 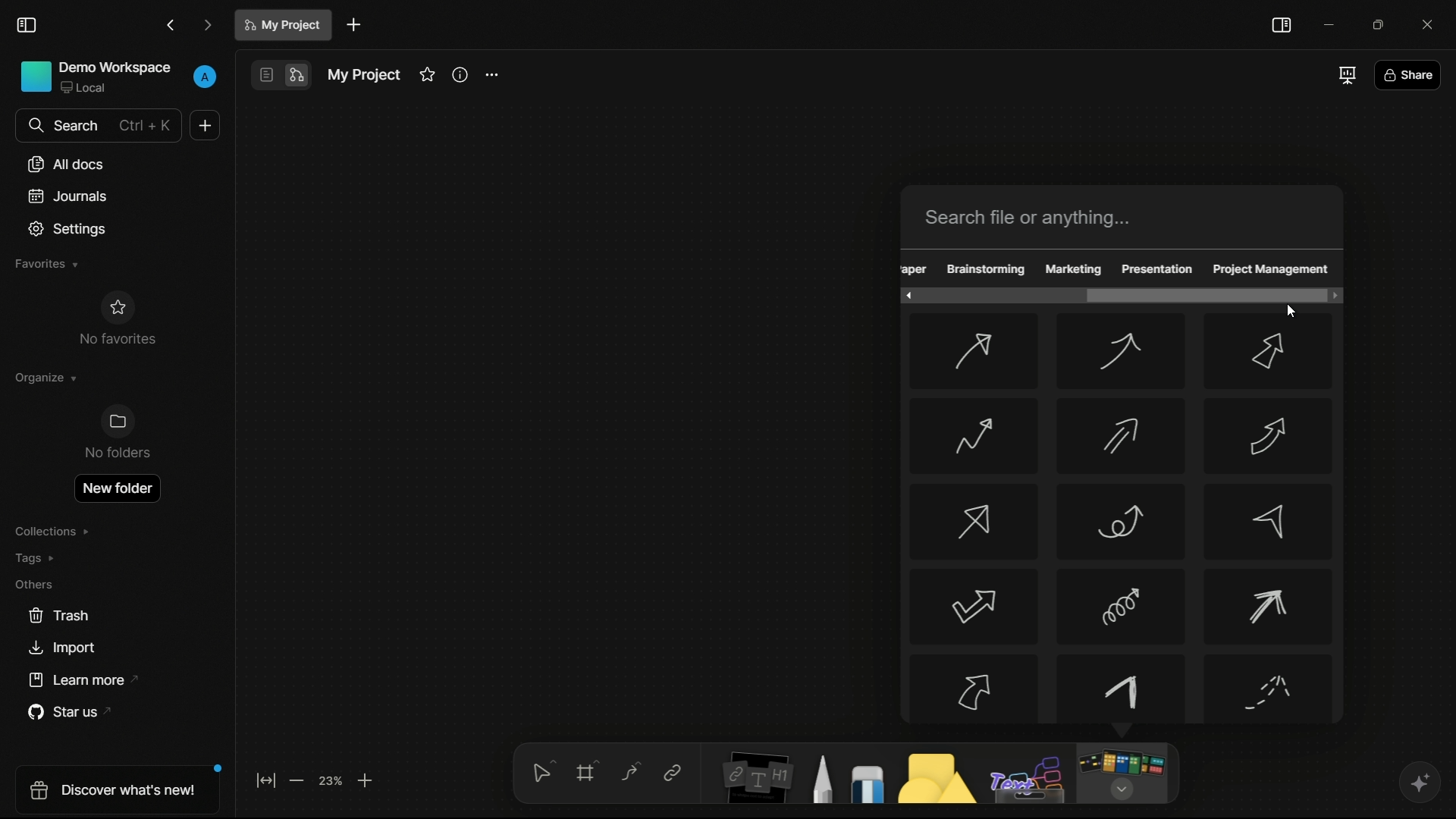 I want to click on arrow-2, so click(x=1120, y=353).